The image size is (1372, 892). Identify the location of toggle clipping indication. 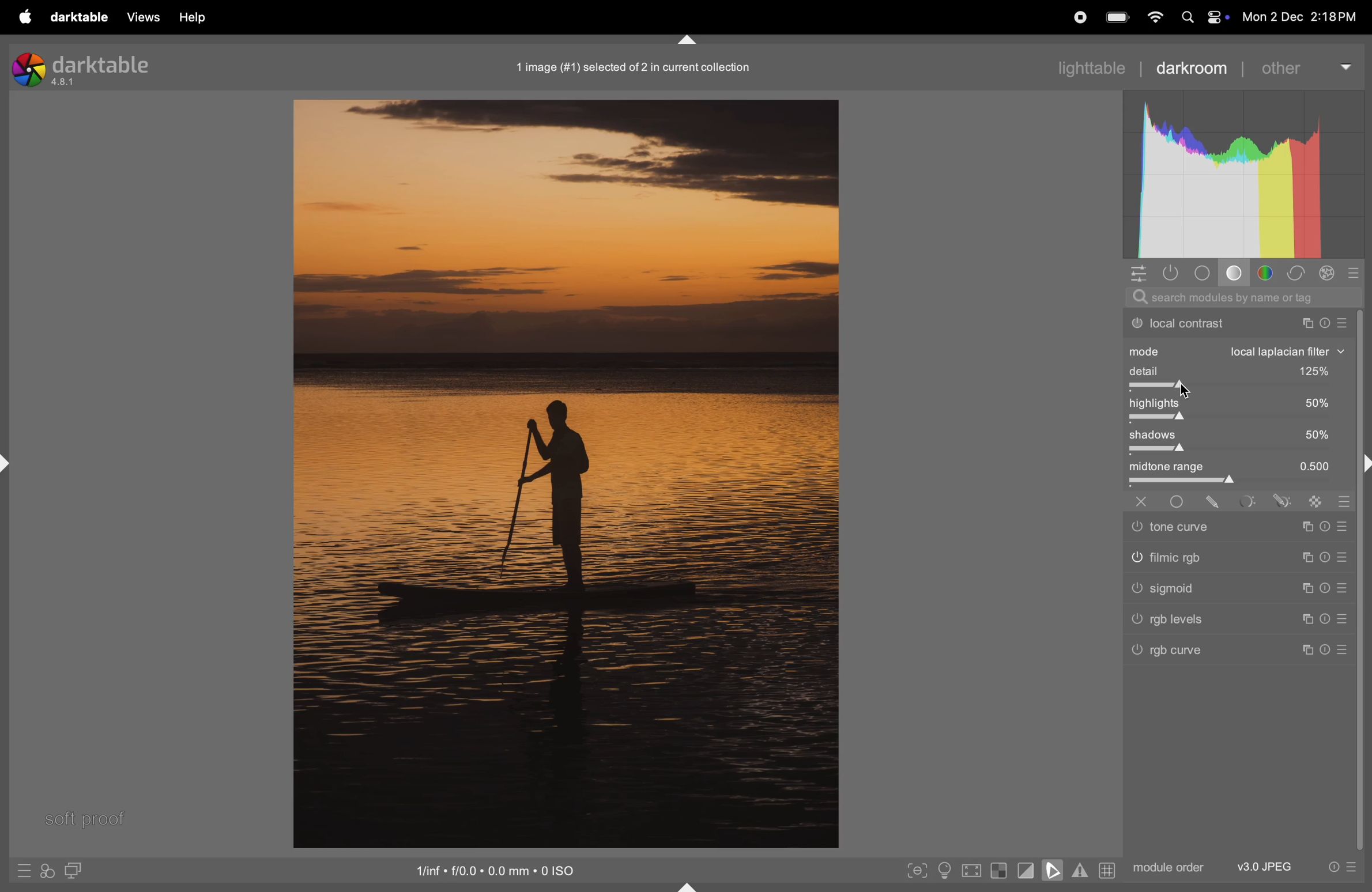
(1026, 870).